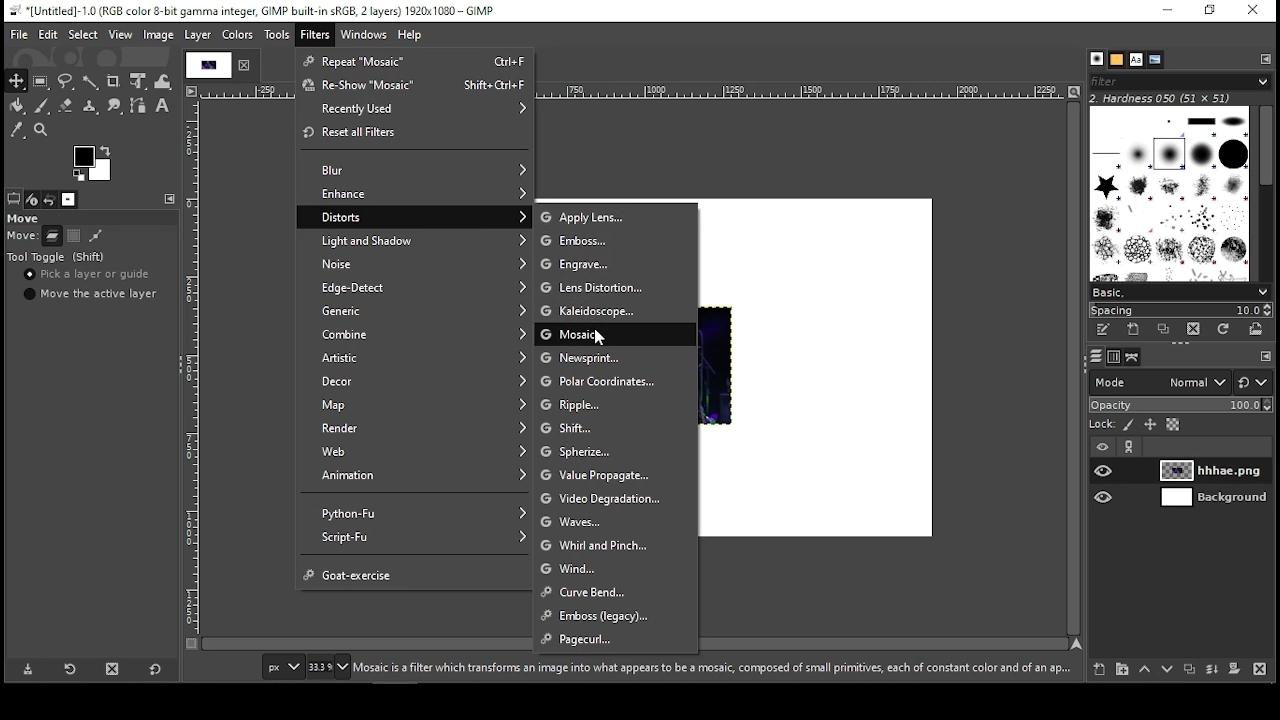 The height and width of the screenshot is (720, 1280). What do you see at coordinates (51, 236) in the screenshot?
I see `move layers` at bounding box center [51, 236].